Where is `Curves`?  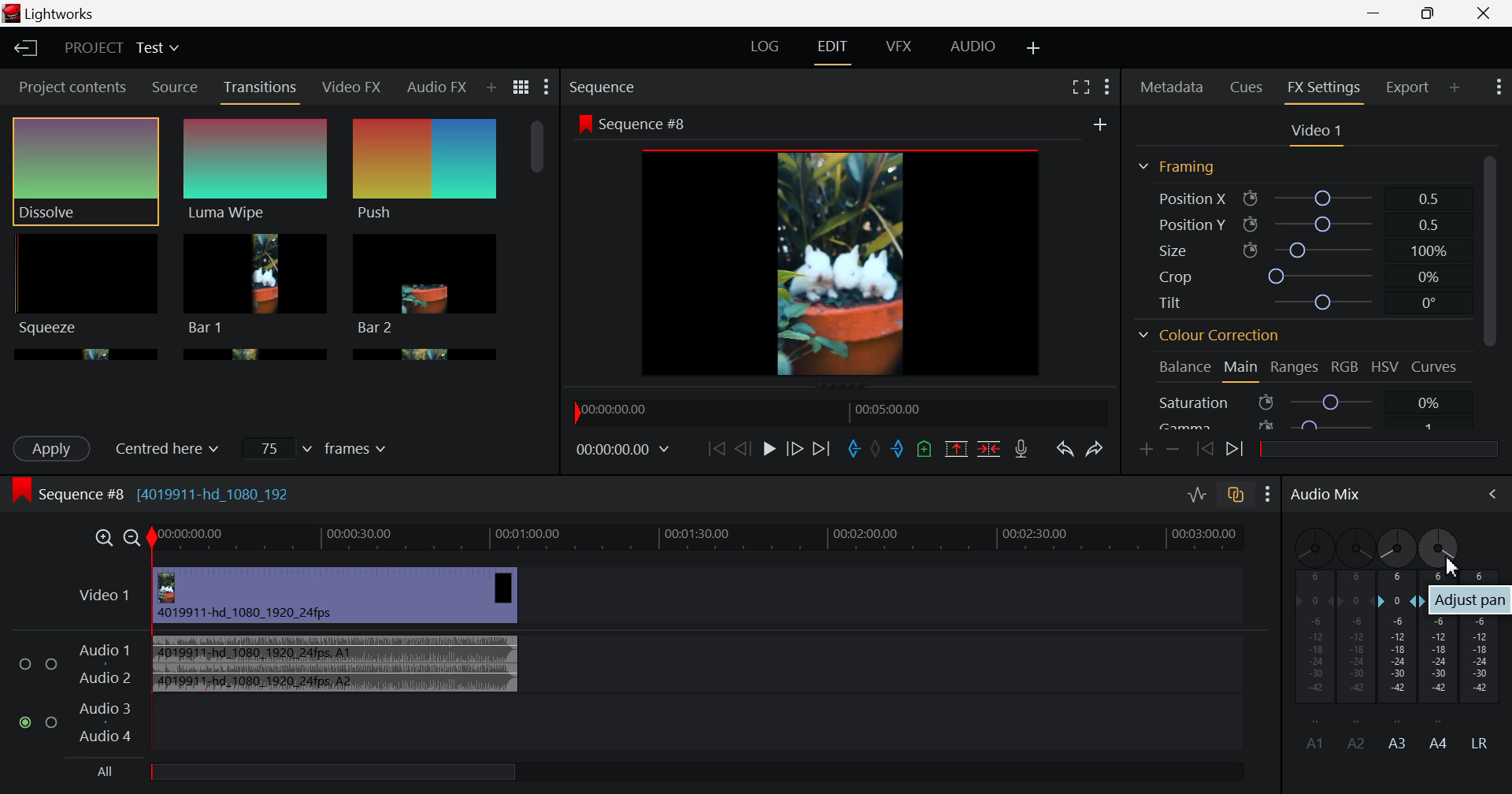 Curves is located at coordinates (1433, 366).